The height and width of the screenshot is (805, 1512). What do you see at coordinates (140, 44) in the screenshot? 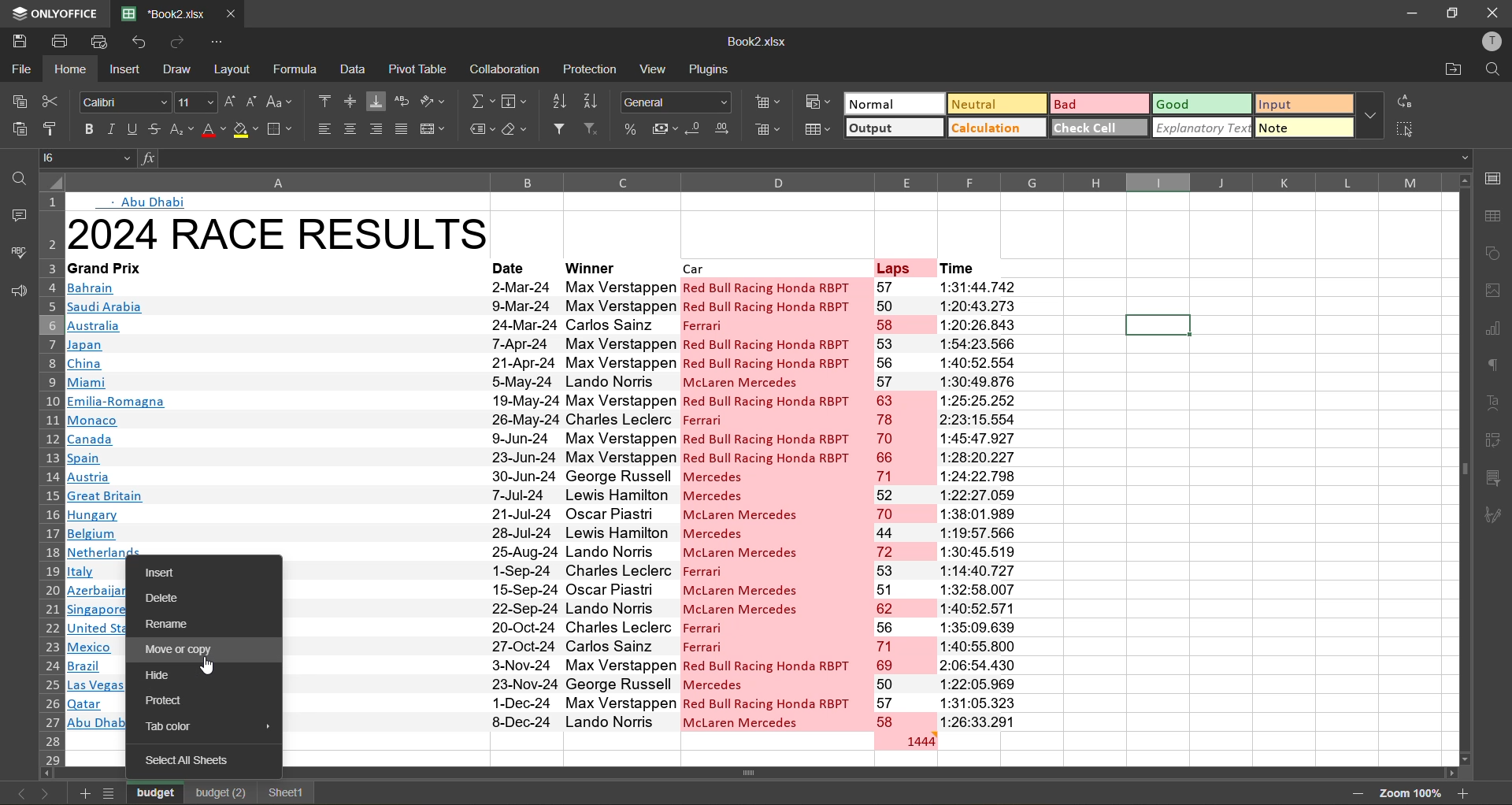
I see `undo` at bounding box center [140, 44].